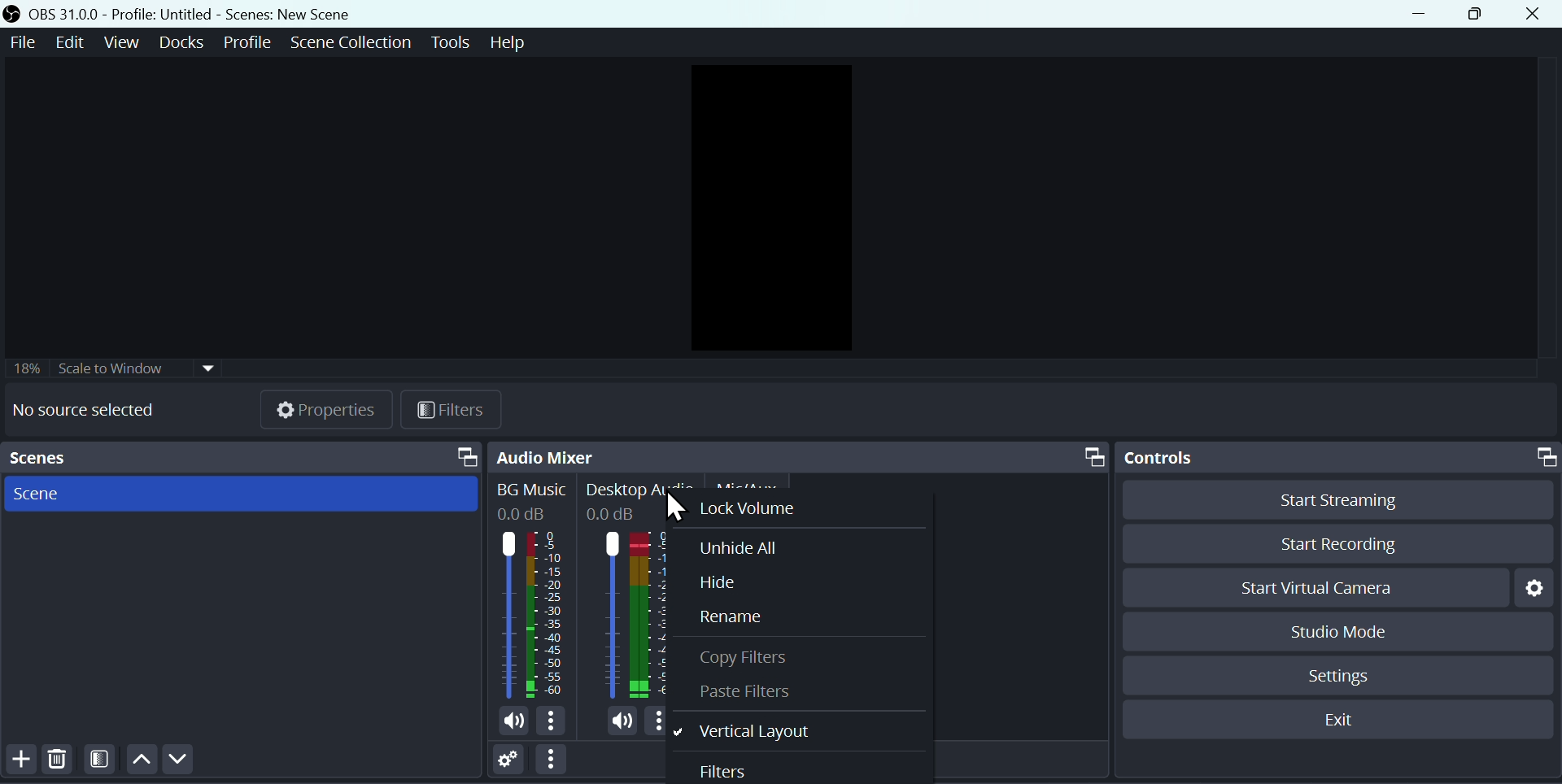  What do you see at coordinates (1341, 717) in the screenshot?
I see `Exit` at bounding box center [1341, 717].